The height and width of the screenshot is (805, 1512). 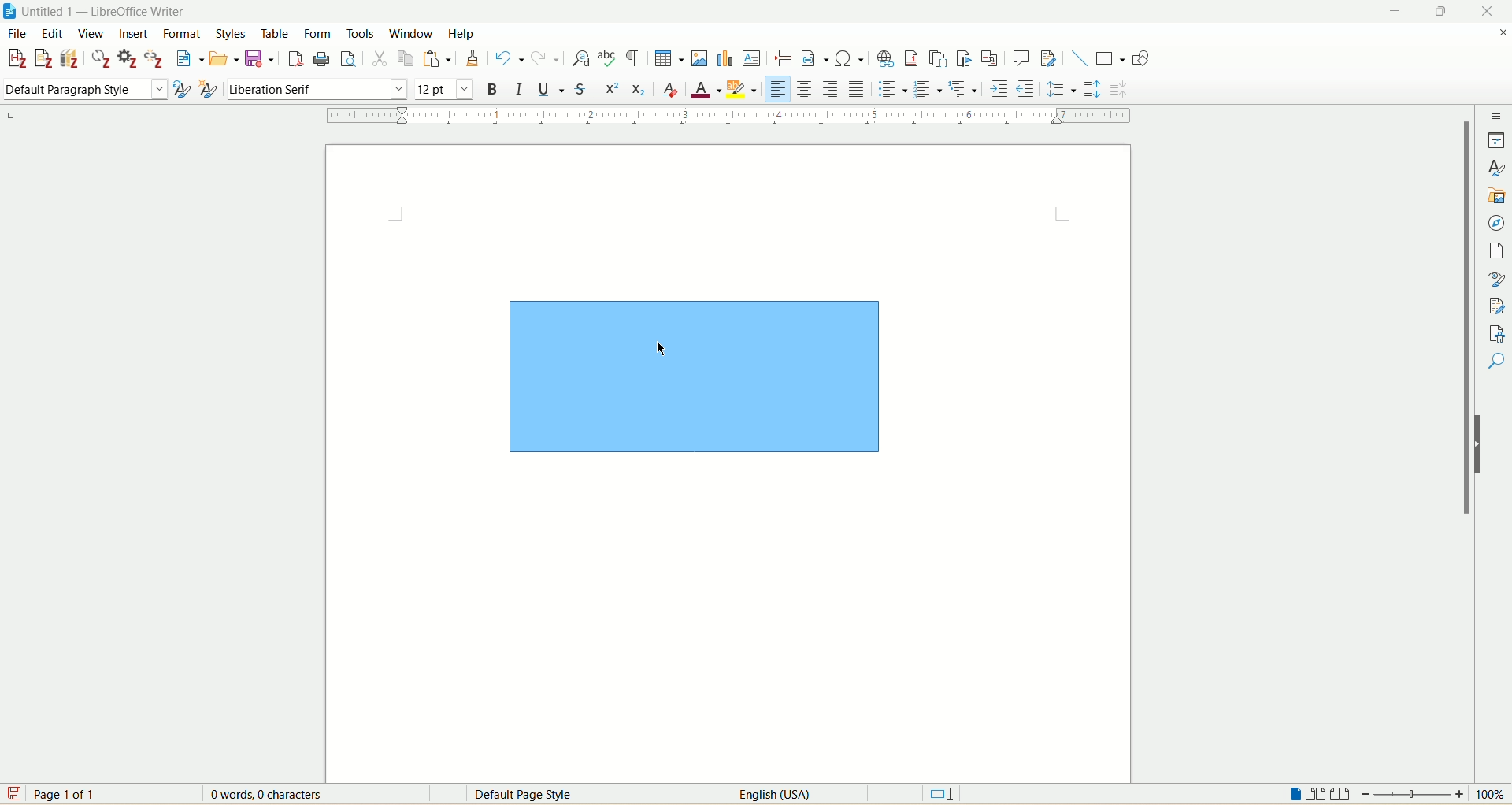 I want to click on navigator, so click(x=1498, y=225).